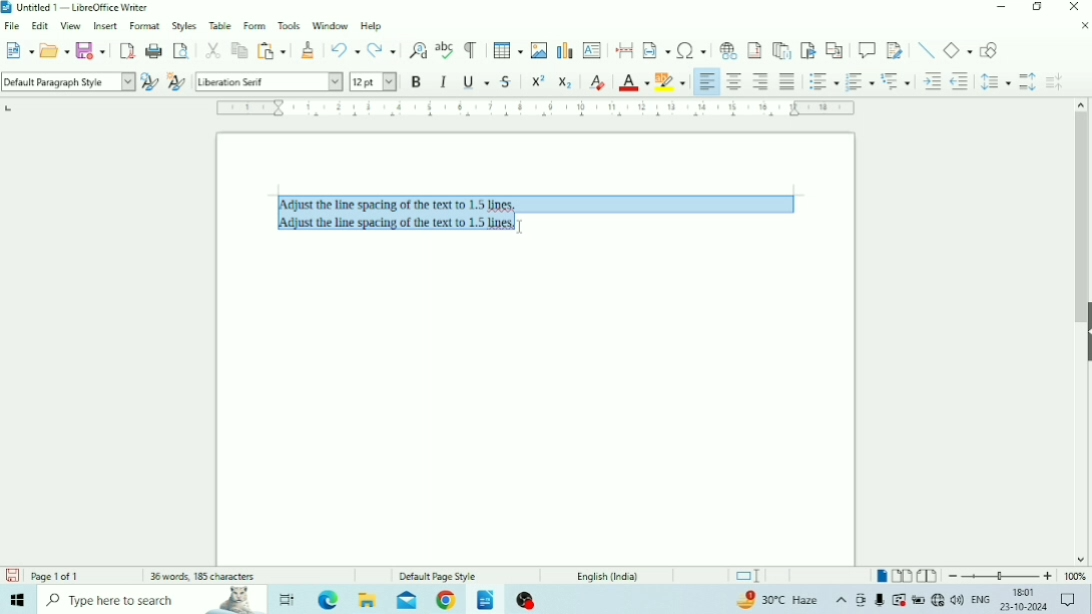 Image resolution: width=1092 pixels, height=614 pixels. I want to click on Decrease Paragraph Spacing, so click(1054, 83).